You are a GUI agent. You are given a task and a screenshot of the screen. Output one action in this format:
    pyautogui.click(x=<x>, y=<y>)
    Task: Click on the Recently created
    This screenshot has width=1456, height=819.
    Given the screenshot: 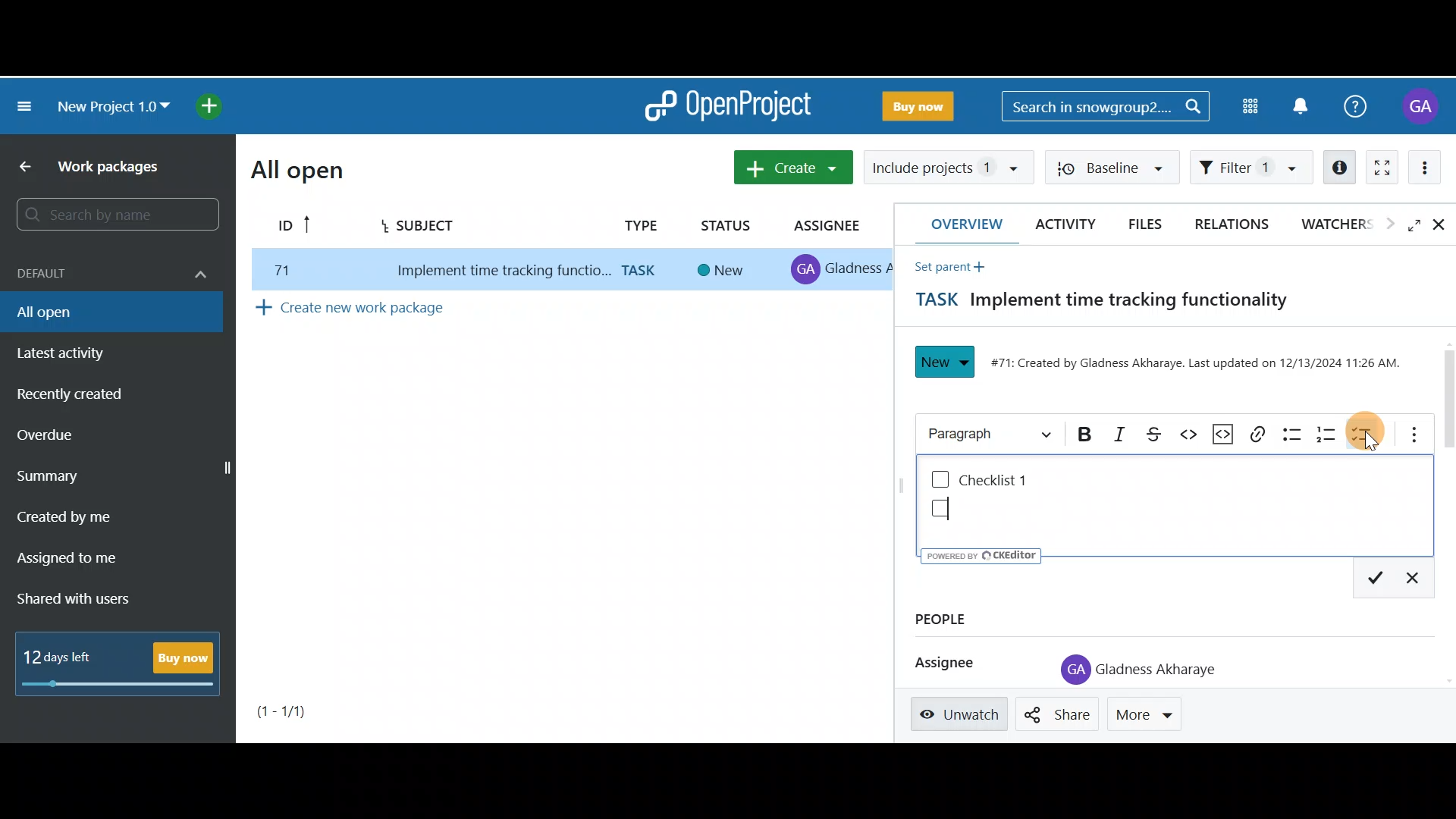 What is the action you would take?
    pyautogui.click(x=73, y=395)
    